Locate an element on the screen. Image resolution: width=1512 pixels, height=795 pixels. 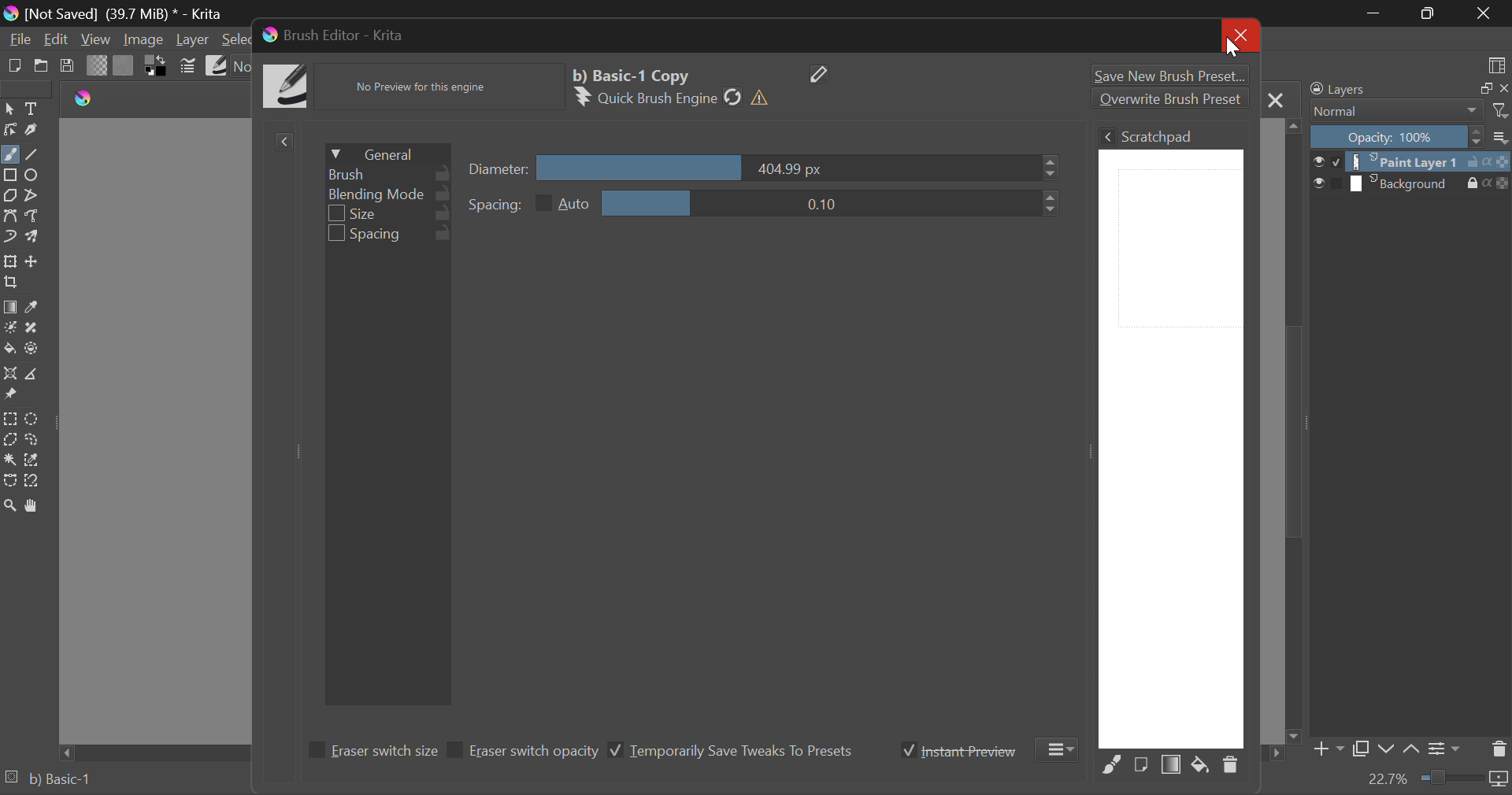
Cursor on Close is located at coordinates (1230, 46).